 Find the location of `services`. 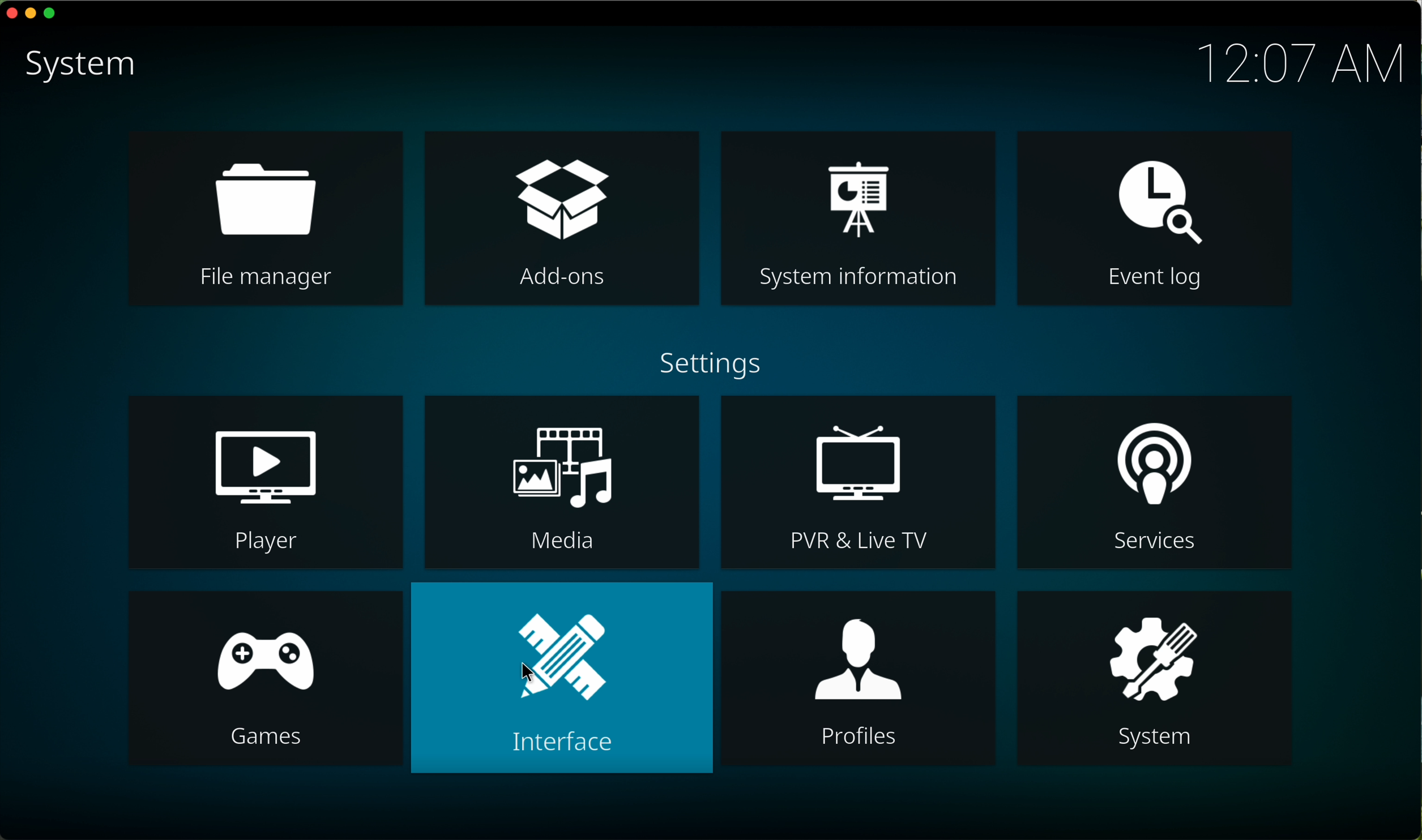

services is located at coordinates (1155, 481).